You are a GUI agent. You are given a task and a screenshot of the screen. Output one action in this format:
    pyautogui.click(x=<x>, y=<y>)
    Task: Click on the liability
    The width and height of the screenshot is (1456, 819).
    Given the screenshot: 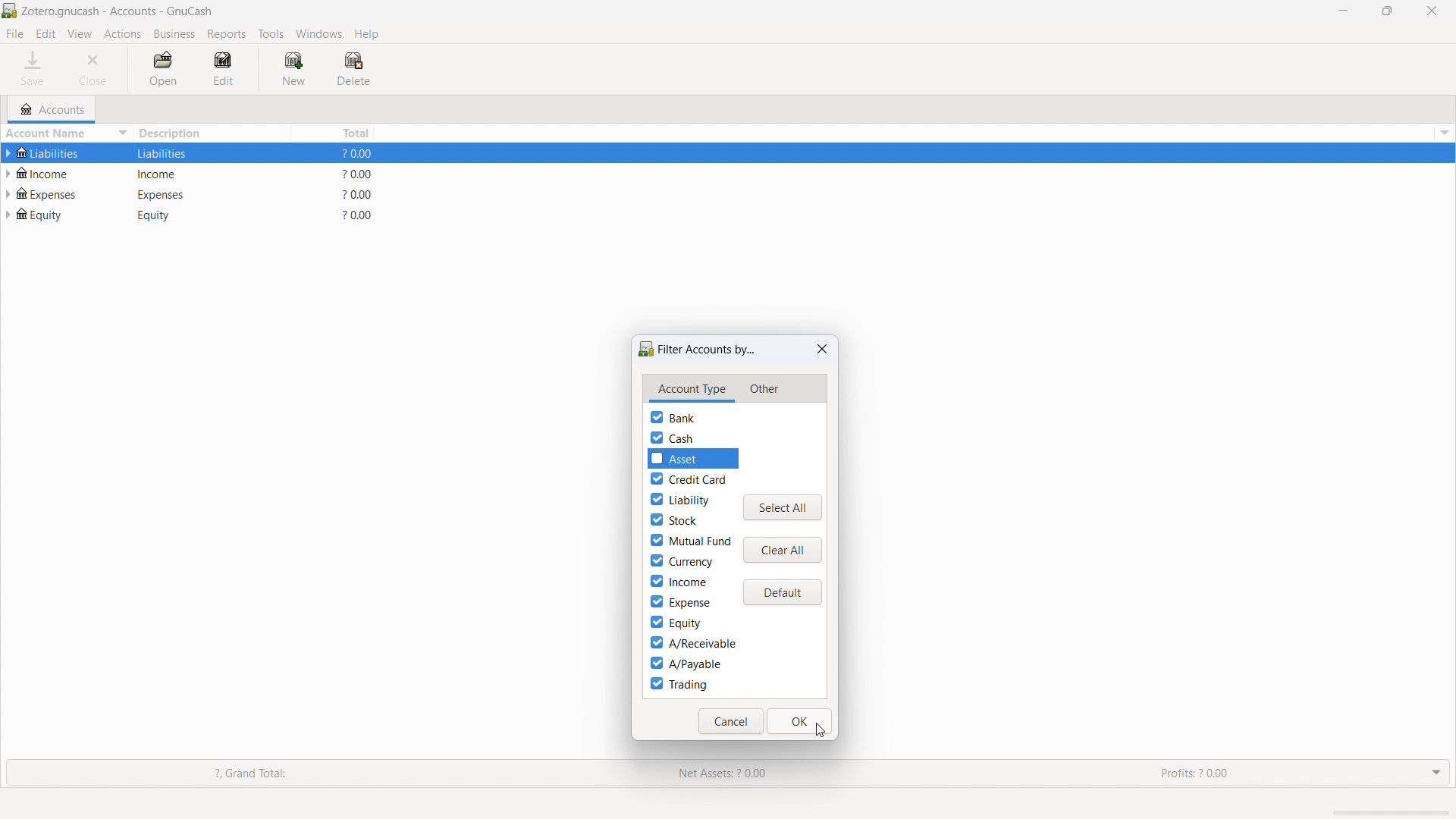 What is the action you would take?
    pyautogui.click(x=679, y=499)
    